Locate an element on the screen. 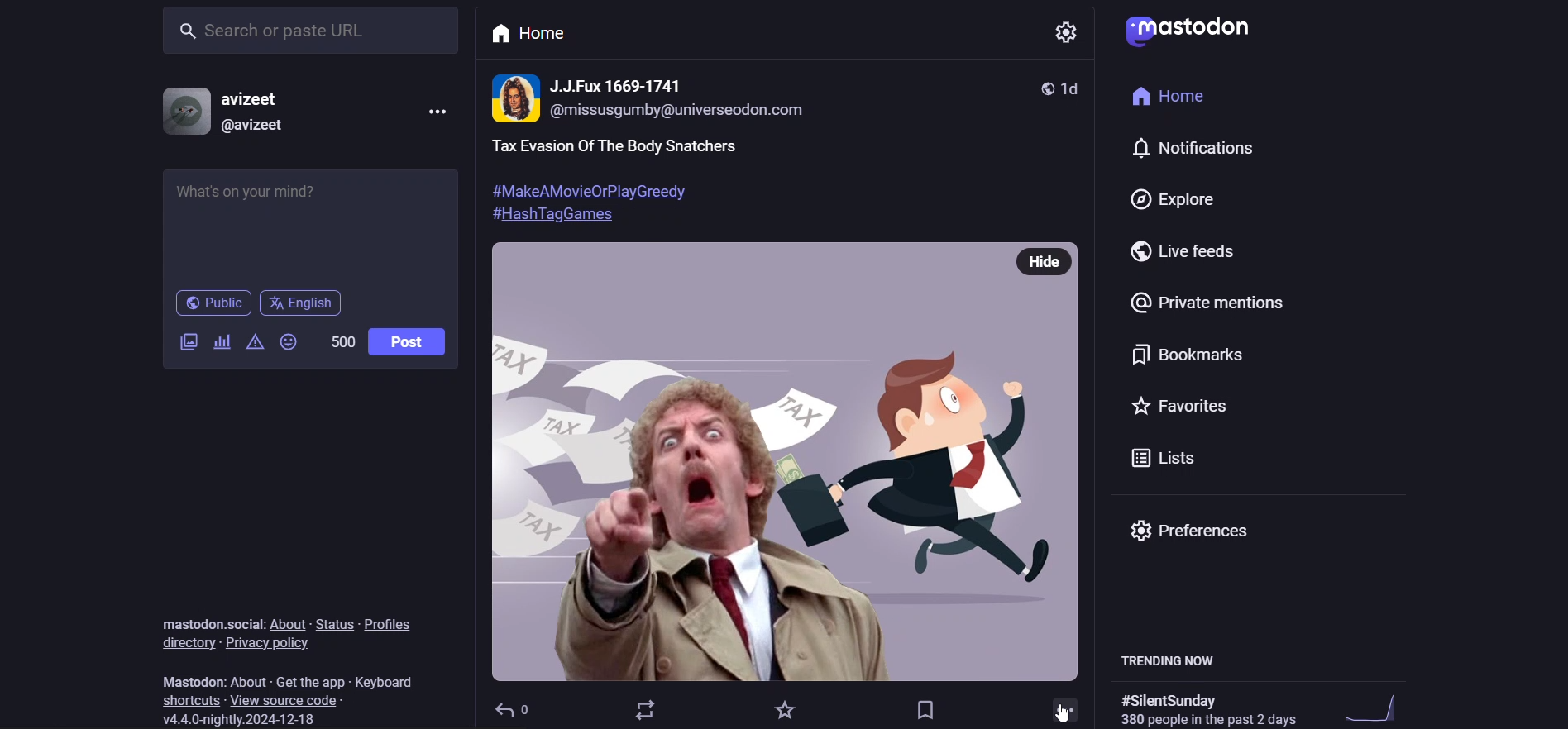 This screenshot has width=1568, height=729. notification is located at coordinates (1175, 144).